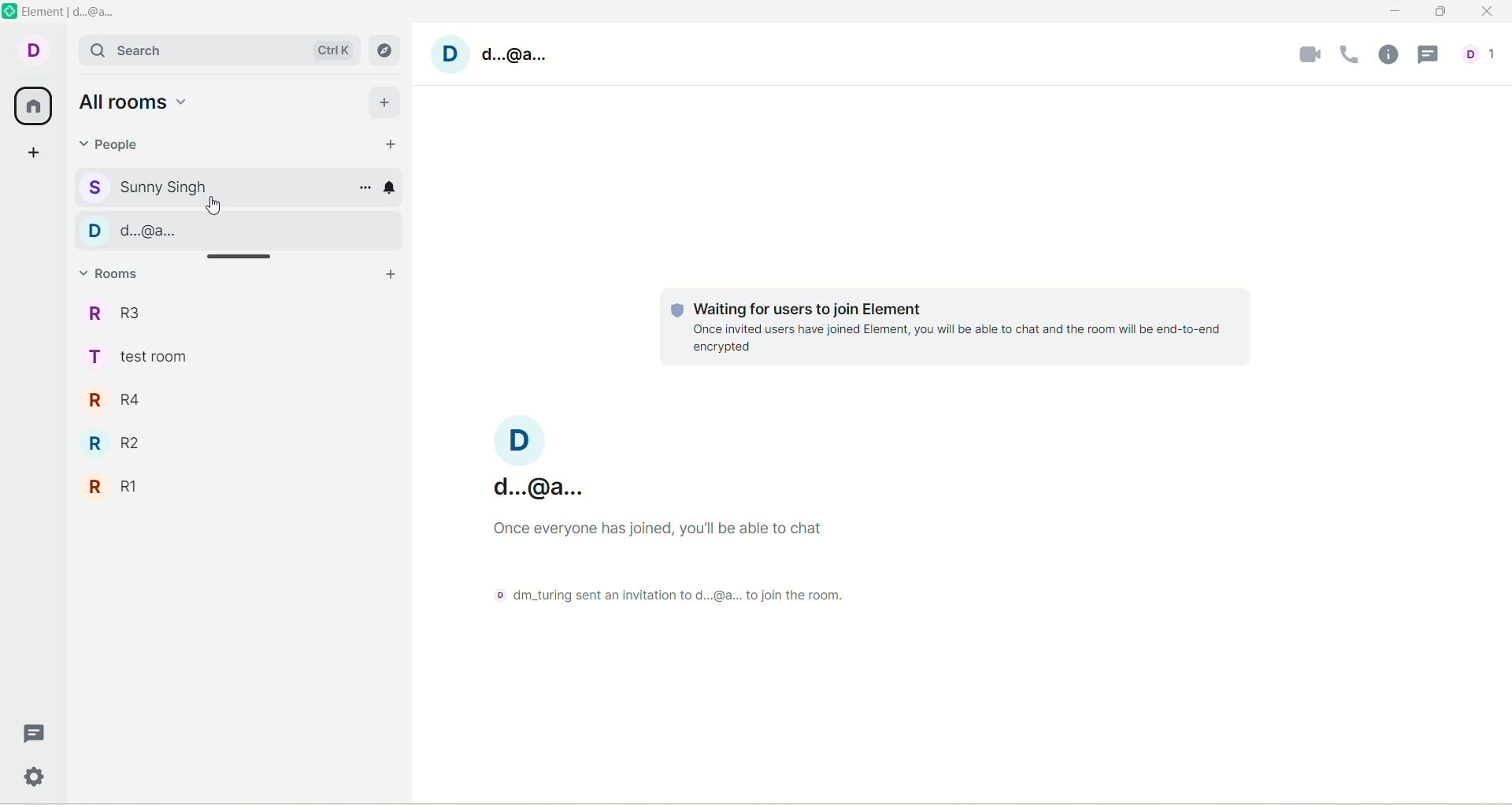  Describe the element at coordinates (660, 529) in the screenshot. I see `text` at that location.